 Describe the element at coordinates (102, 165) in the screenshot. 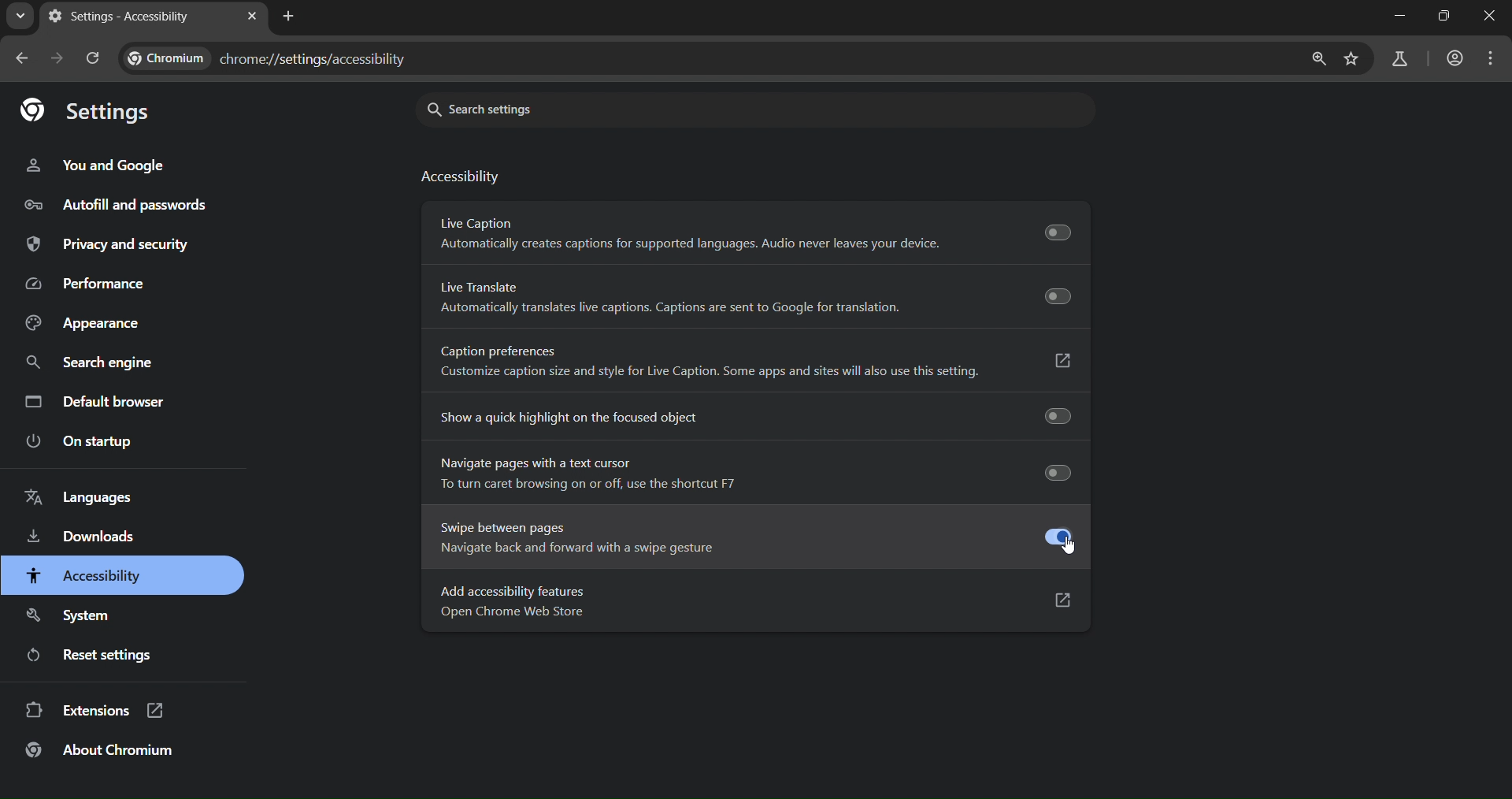

I see `you and google ` at that location.